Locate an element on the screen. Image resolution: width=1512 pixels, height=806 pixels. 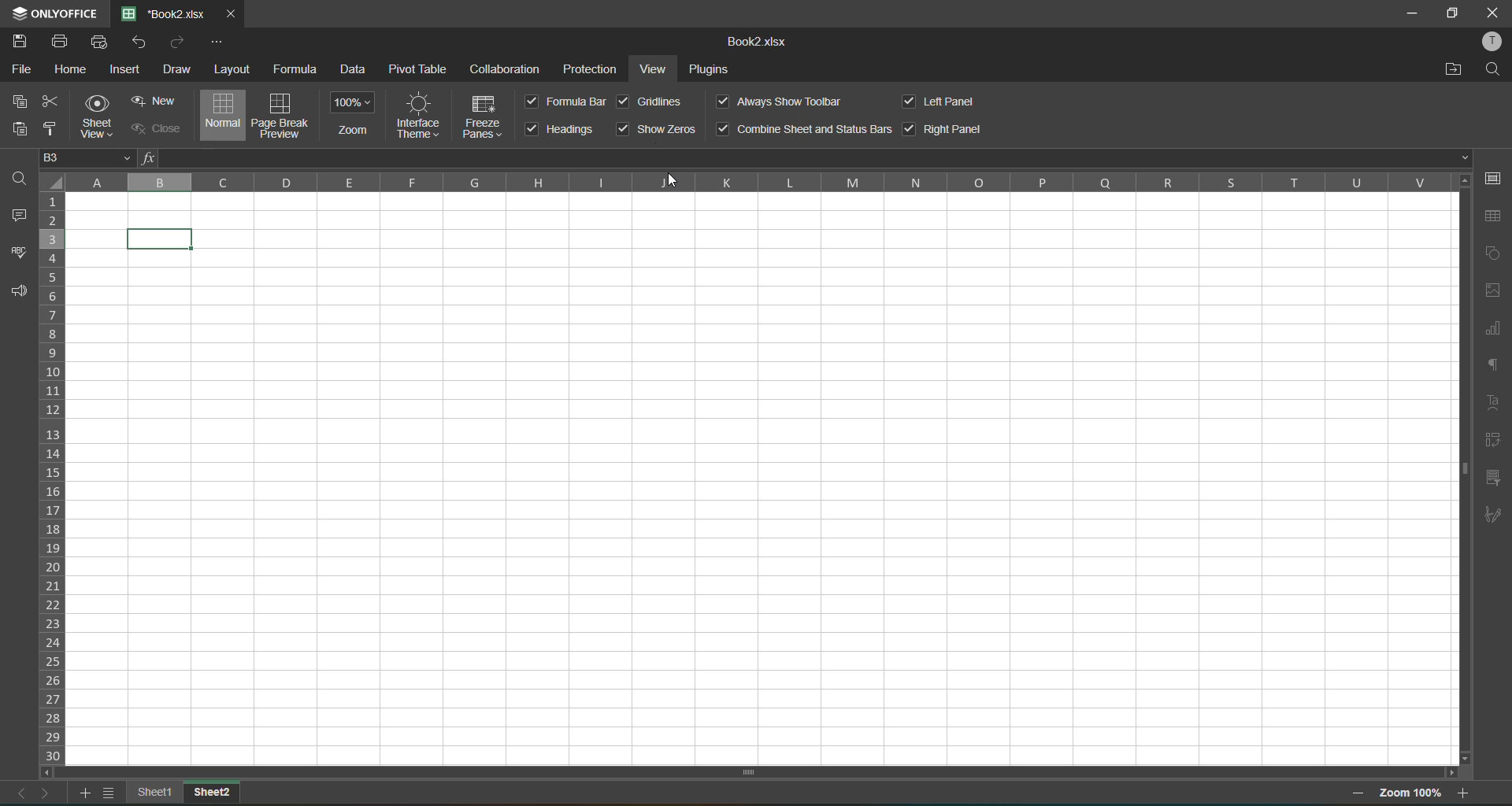
slicer is located at coordinates (1496, 477).